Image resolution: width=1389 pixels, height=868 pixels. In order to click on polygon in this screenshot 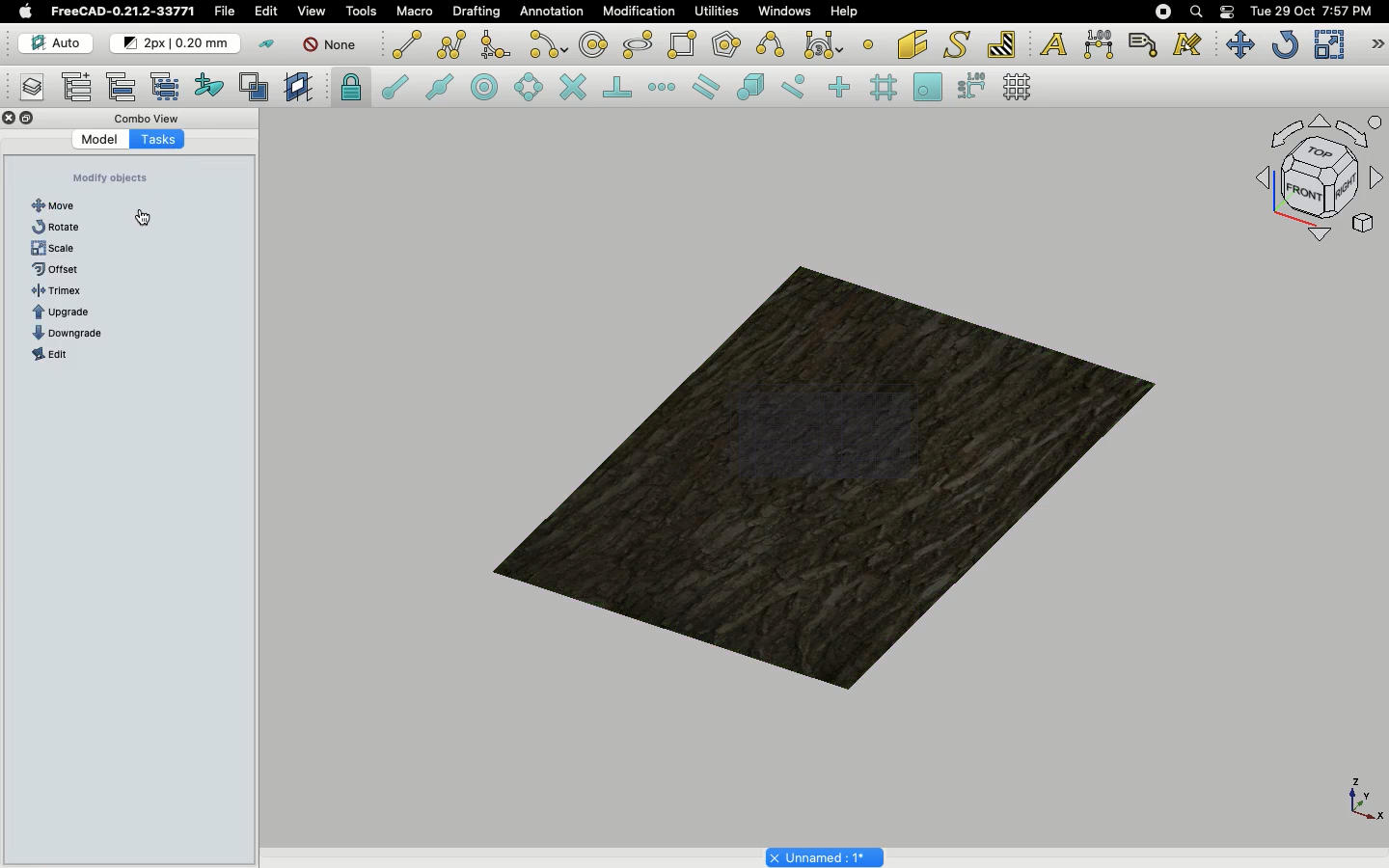, I will do `click(639, 45)`.